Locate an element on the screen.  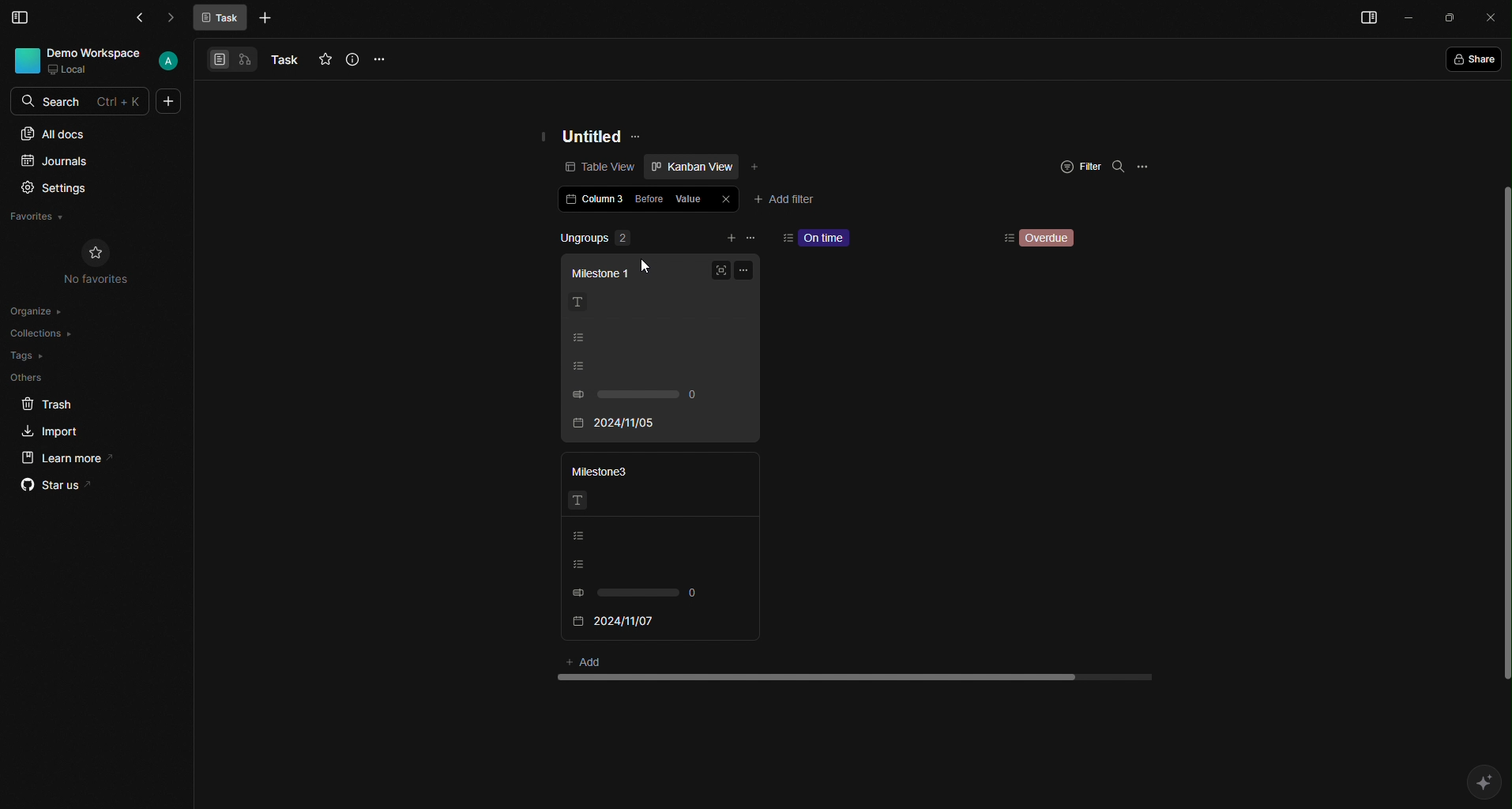
Options is located at coordinates (381, 58).